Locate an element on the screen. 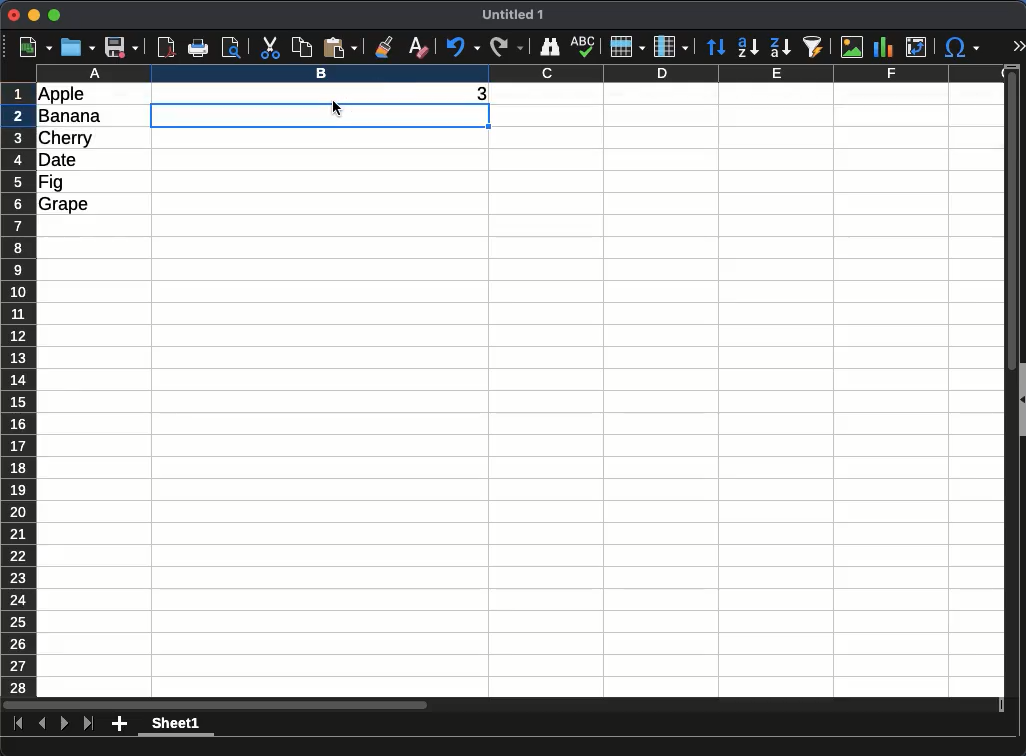  column is located at coordinates (521, 73).